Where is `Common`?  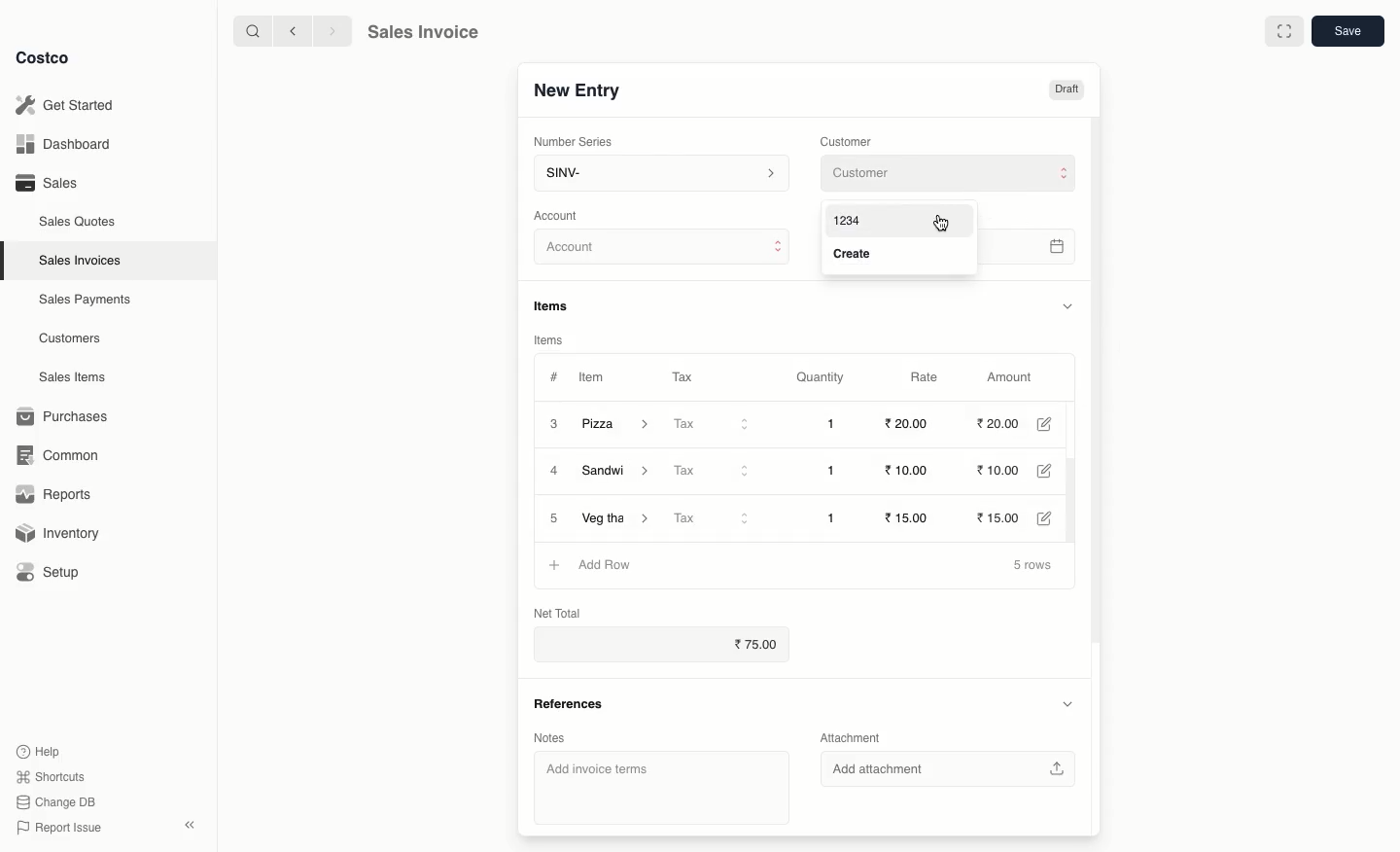 Common is located at coordinates (66, 455).